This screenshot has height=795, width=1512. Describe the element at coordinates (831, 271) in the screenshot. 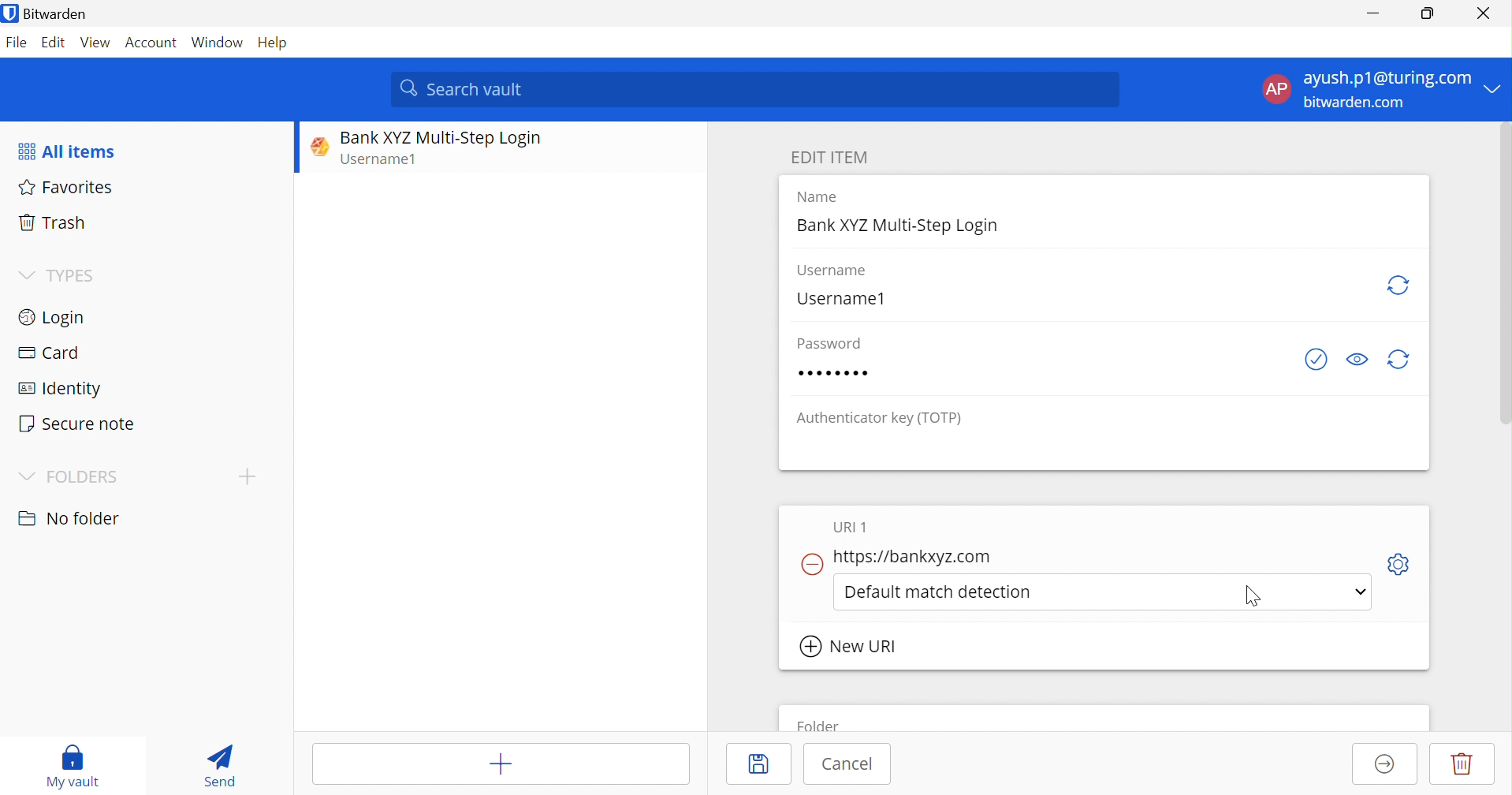

I see `Username` at that location.